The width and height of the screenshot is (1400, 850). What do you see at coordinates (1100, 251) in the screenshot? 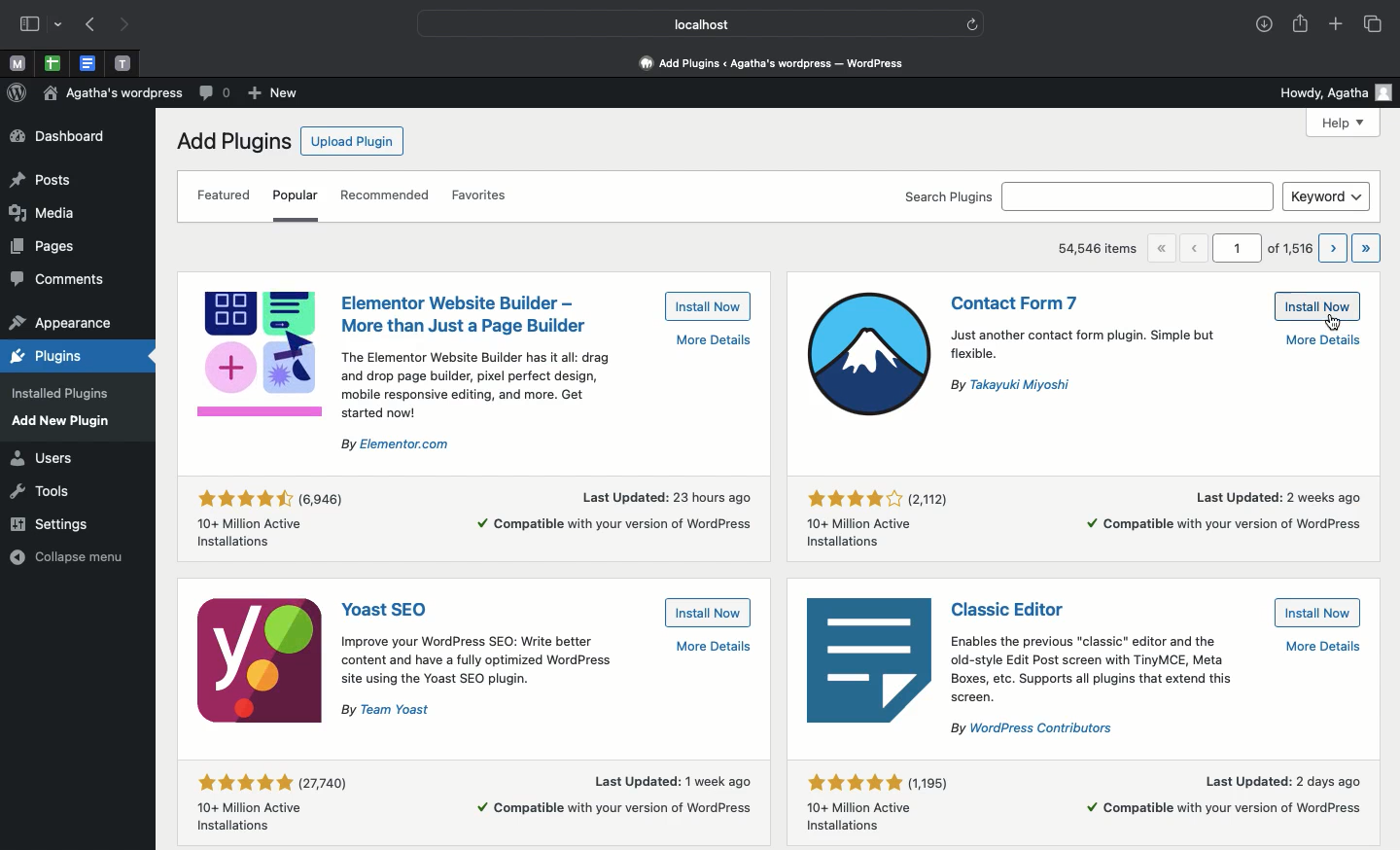
I see `54,546 items` at bounding box center [1100, 251].